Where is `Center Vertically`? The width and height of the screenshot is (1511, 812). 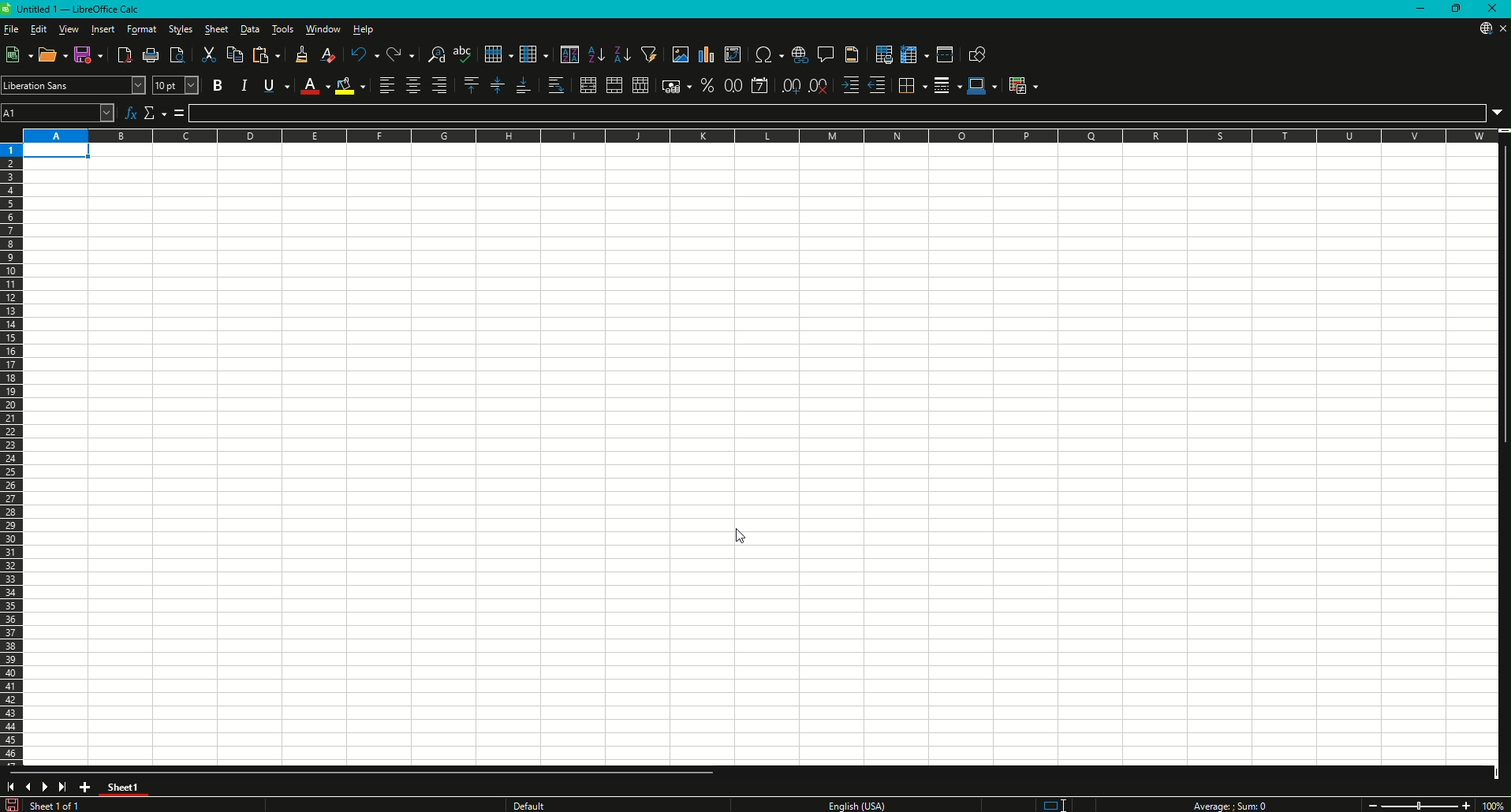 Center Vertically is located at coordinates (498, 85).